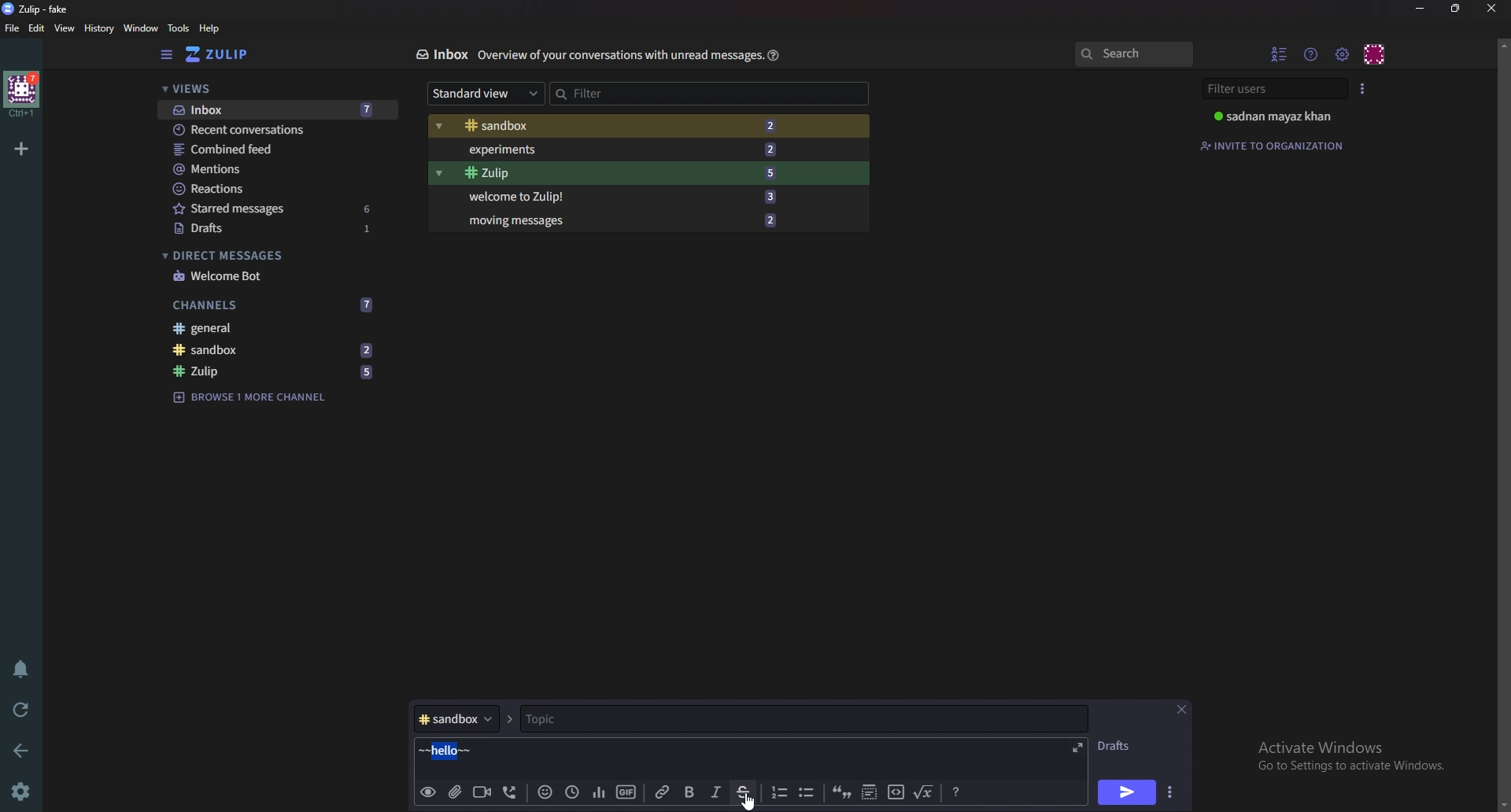 Image resolution: width=1511 pixels, height=812 pixels. What do you see at coordinates (280, 108) in the screenshot?
I see `Inbox` at bounding box center [280, 108].